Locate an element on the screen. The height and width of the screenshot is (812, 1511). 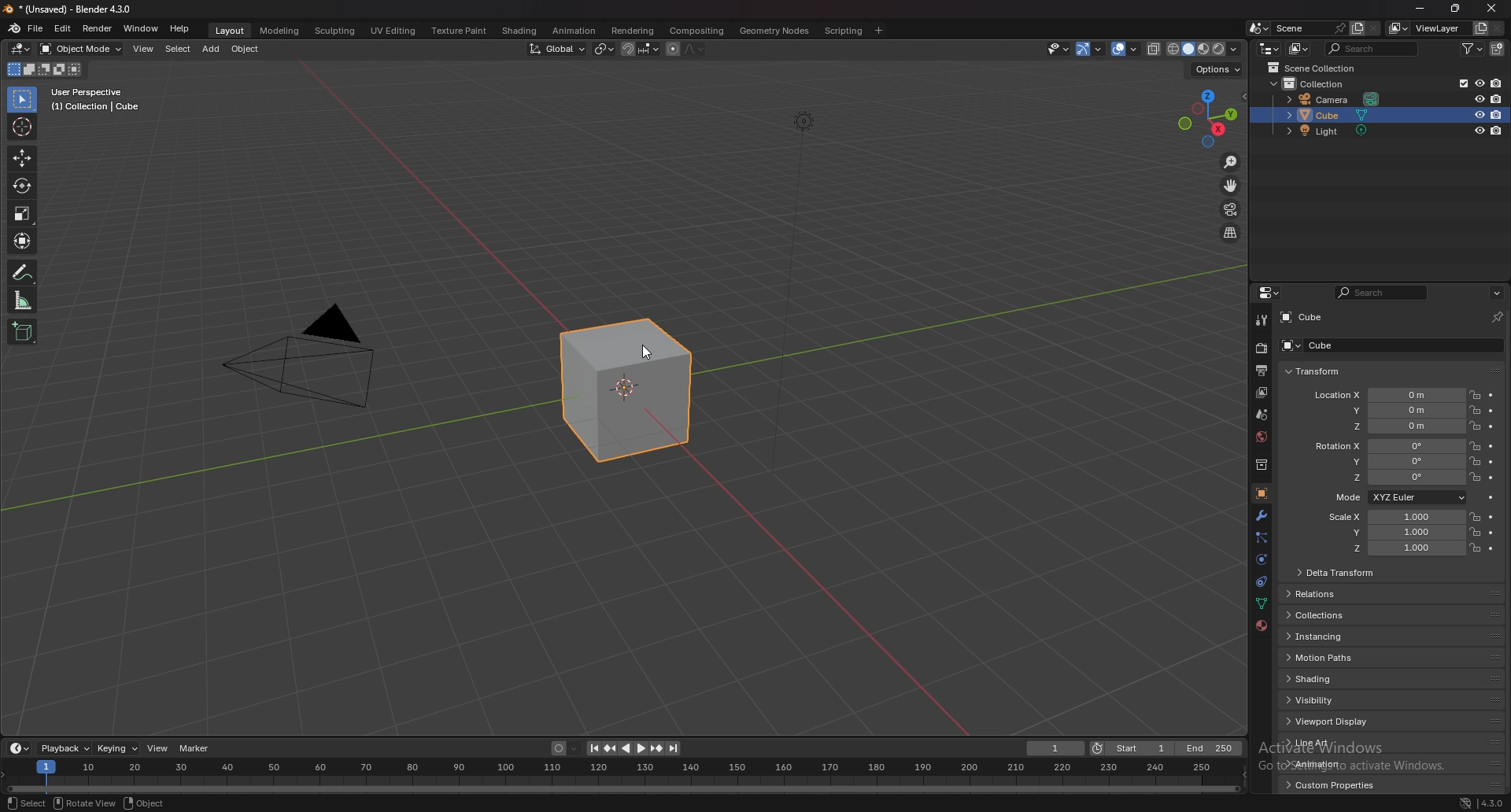
scene is located at coordinates (1261, 414).